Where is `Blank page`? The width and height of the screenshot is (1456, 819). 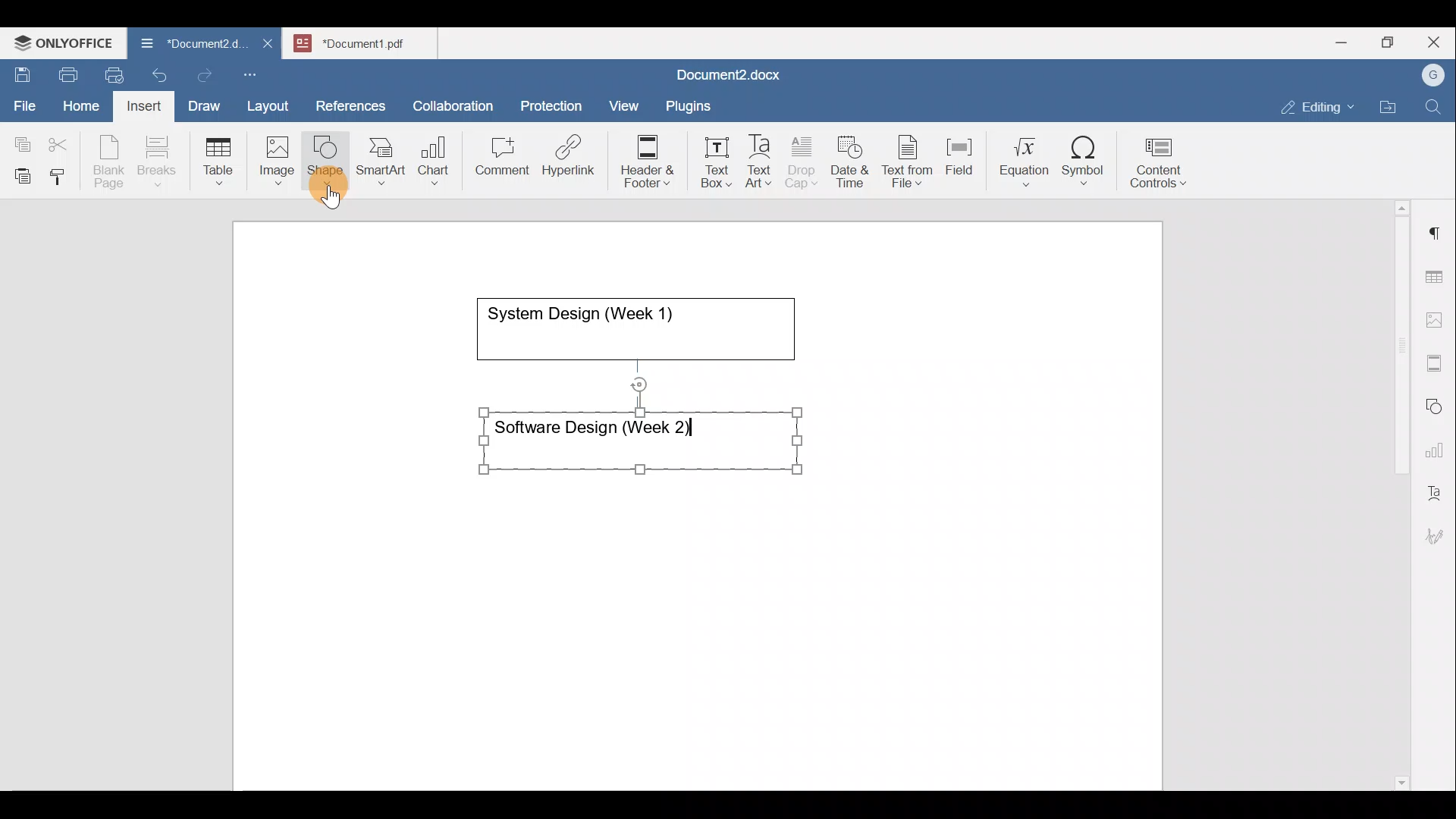
Blank page is located at coordinates (111, 162).